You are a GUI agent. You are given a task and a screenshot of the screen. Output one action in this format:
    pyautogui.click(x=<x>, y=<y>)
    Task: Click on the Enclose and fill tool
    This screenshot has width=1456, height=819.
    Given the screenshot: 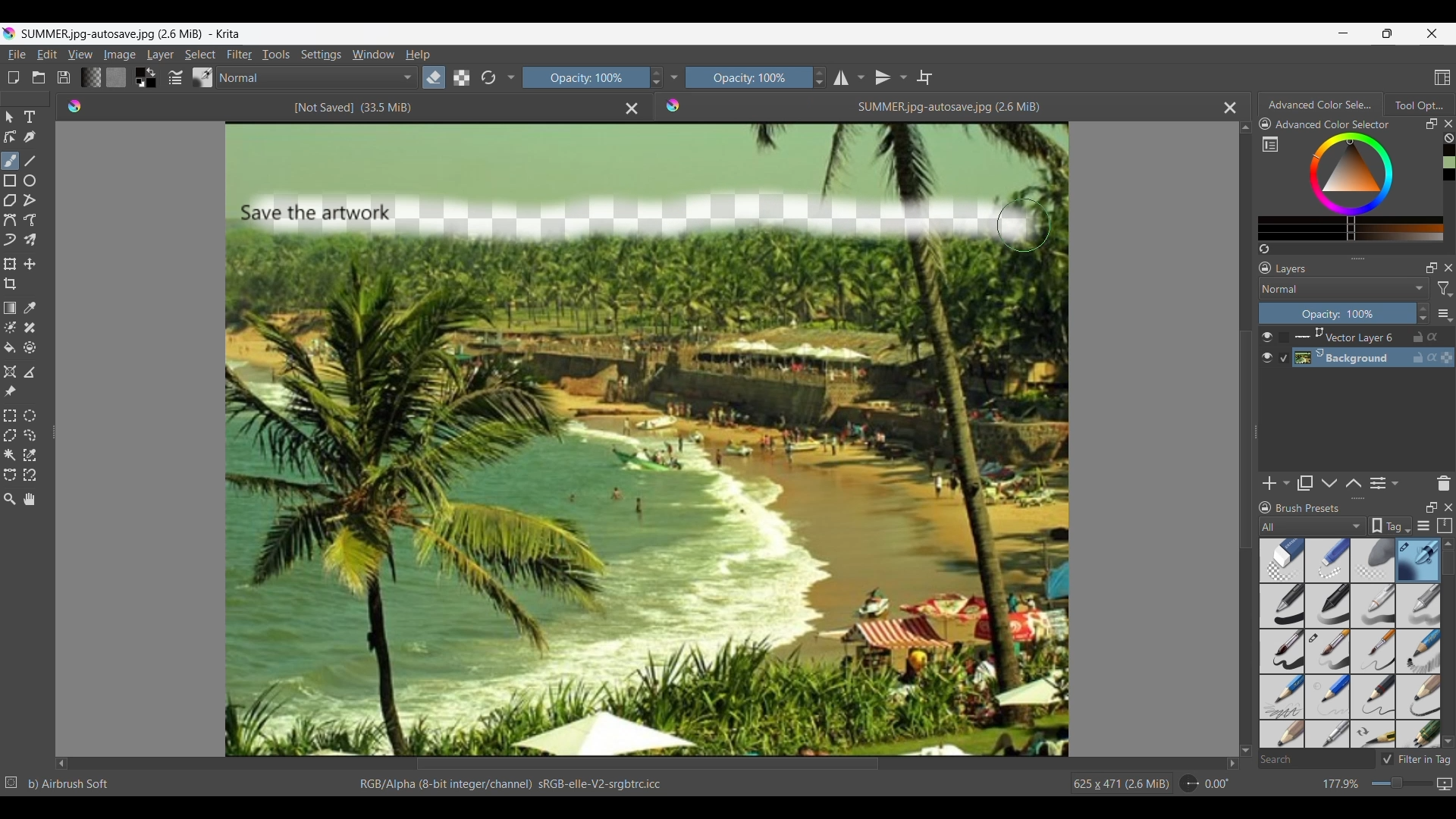 What is the action you would take?
    pyautogui.click(x=30, y=347)
    